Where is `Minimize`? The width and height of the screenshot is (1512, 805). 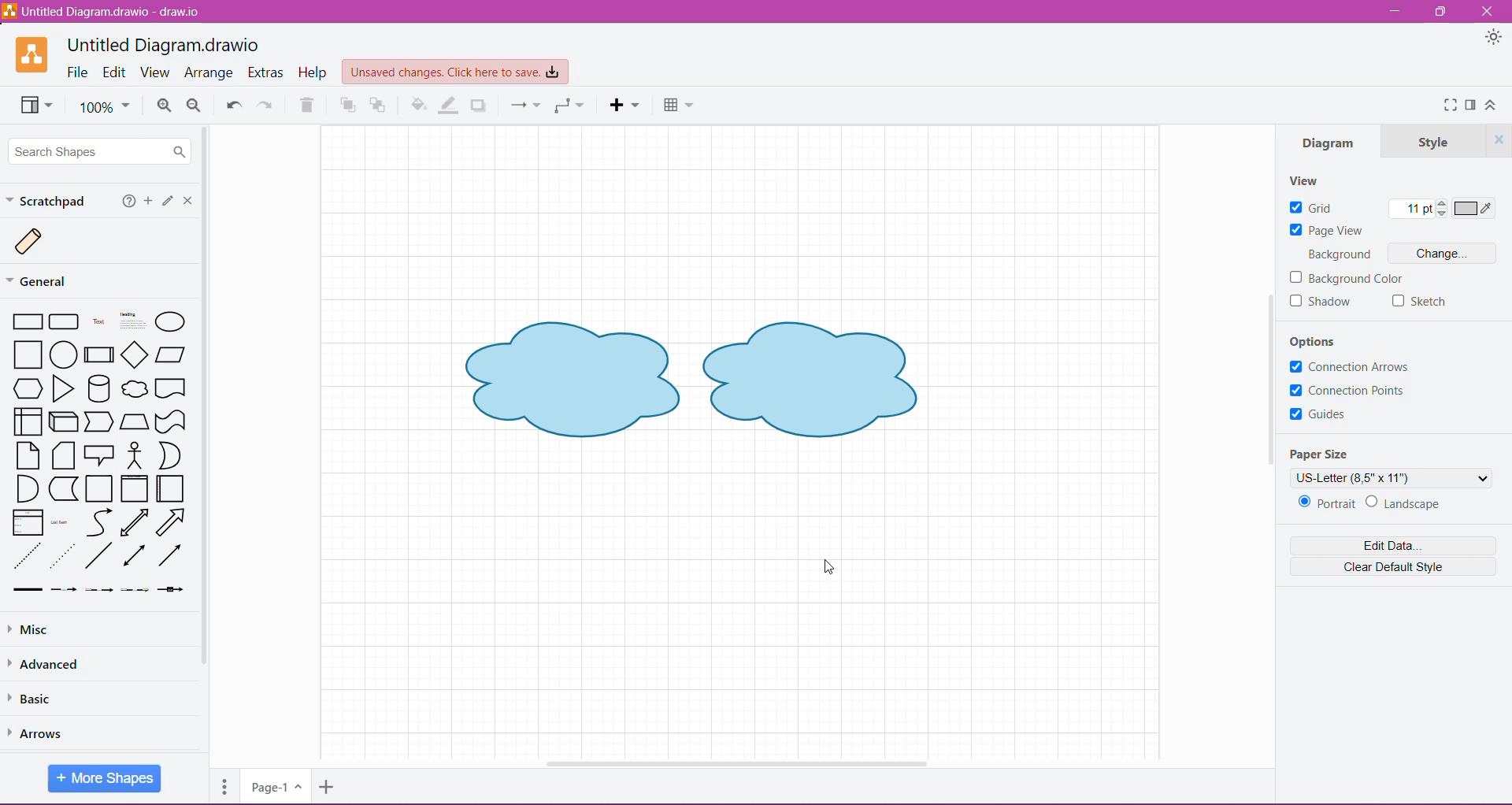
Minimize is located at coordinates (1393, 12).